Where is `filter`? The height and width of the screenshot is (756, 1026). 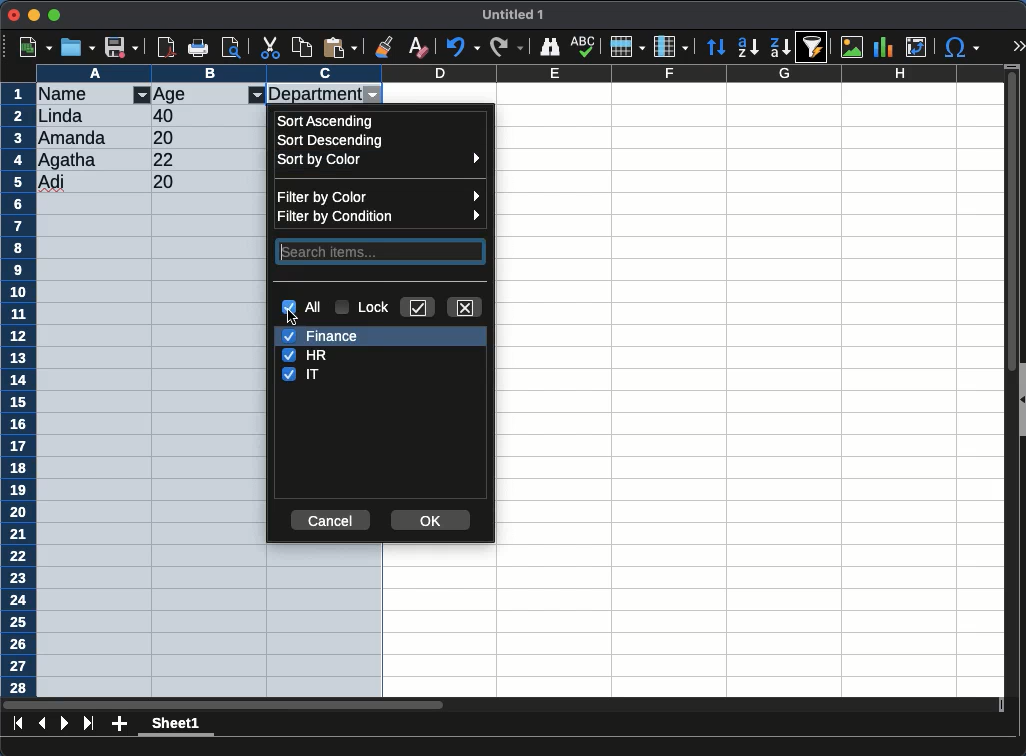
filter is located at coordinates (142, 96).